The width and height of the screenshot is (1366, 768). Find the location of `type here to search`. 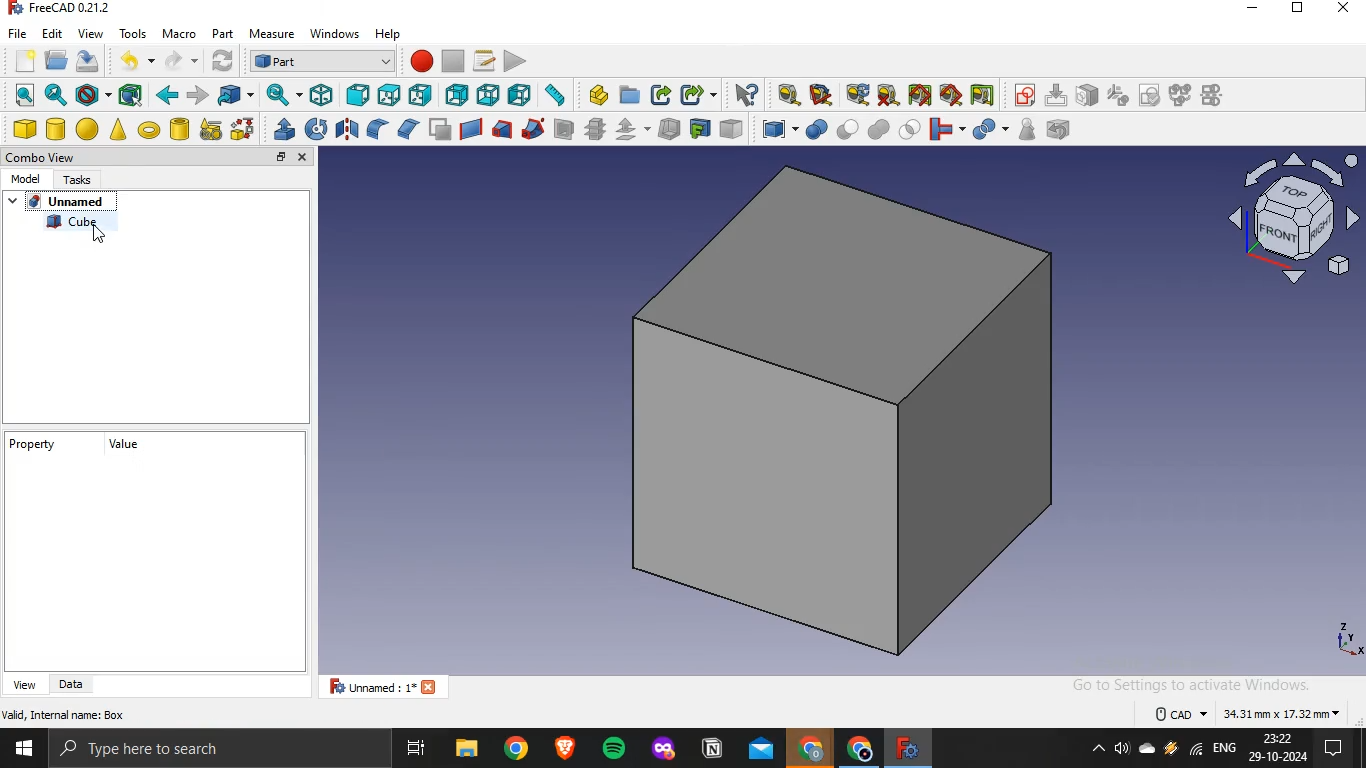

type here to search is located at coordinates (147, 750).